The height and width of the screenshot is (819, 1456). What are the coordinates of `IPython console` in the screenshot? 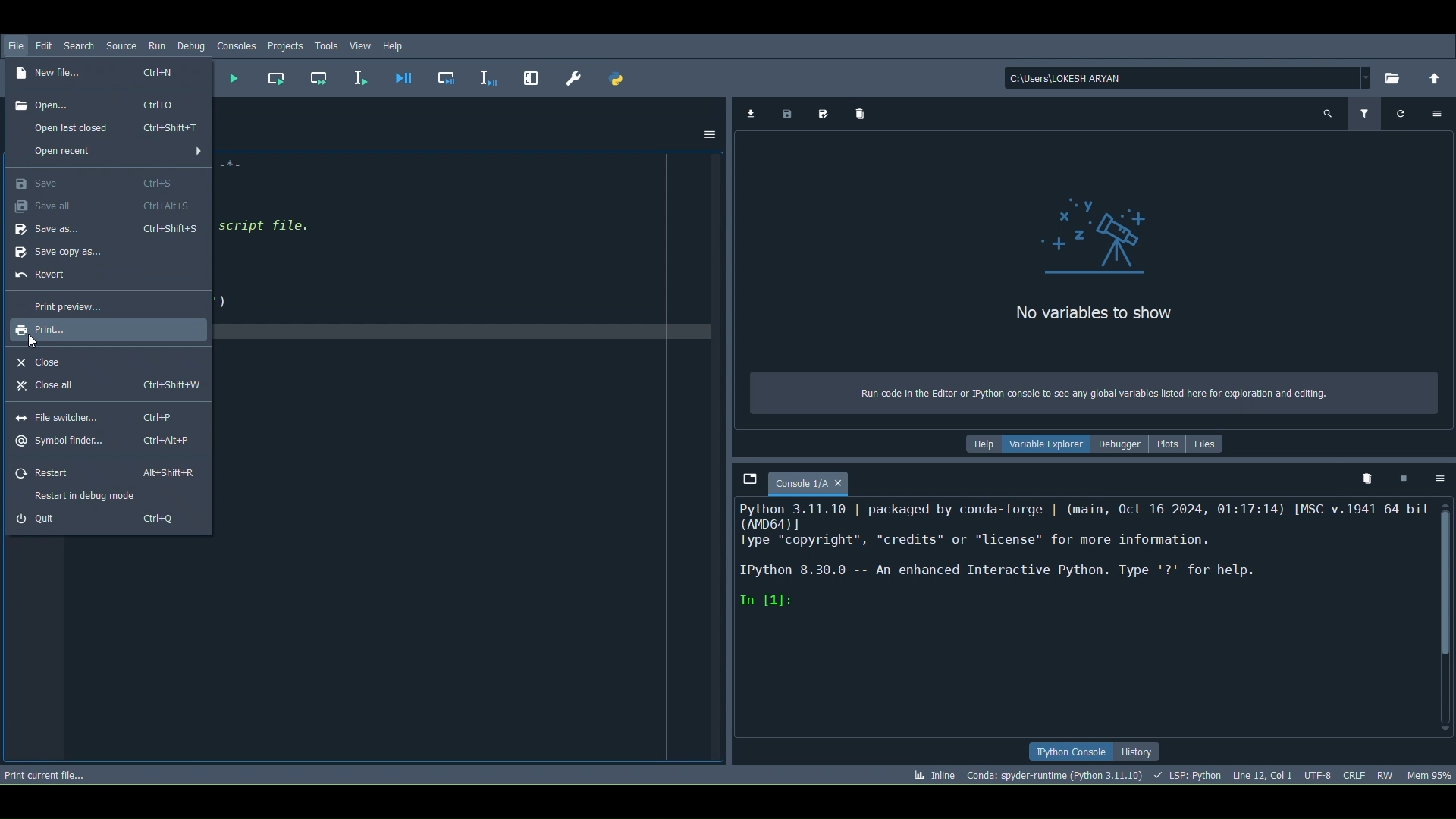 It's located at (1065, 752).